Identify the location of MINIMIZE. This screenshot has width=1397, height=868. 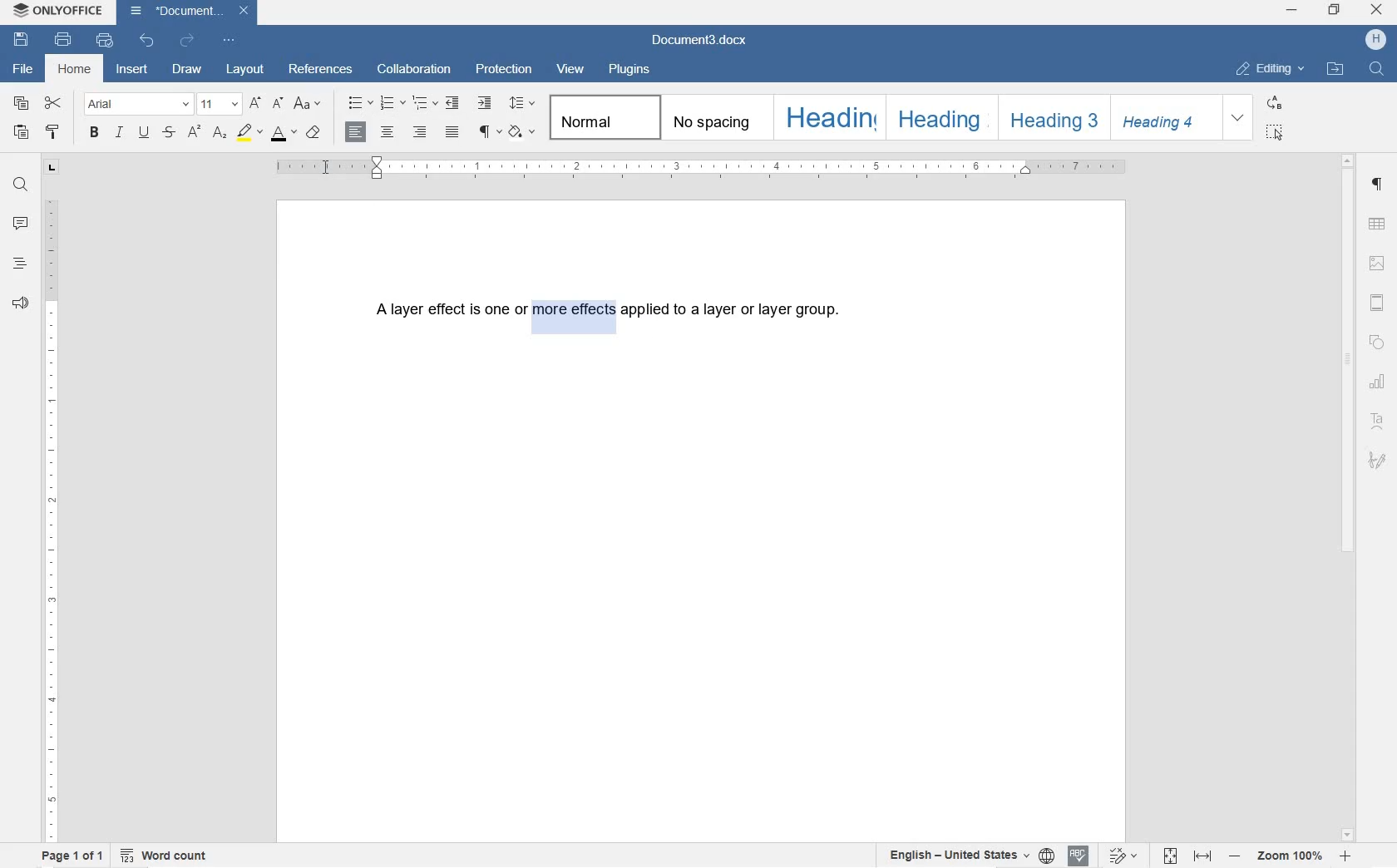
(1294, 11).